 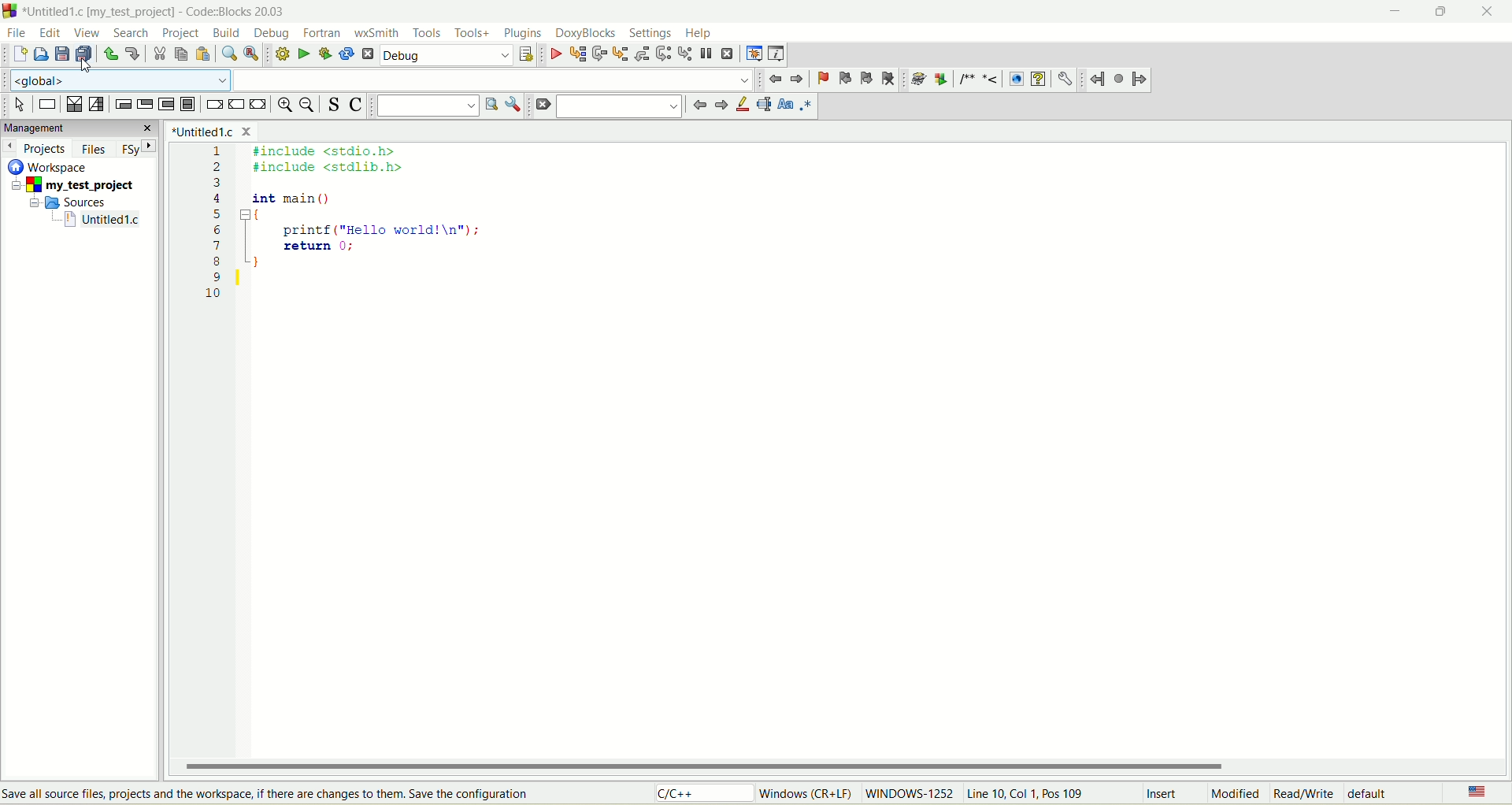 I want to click on untitled1.c, so click(x=215, y=131).